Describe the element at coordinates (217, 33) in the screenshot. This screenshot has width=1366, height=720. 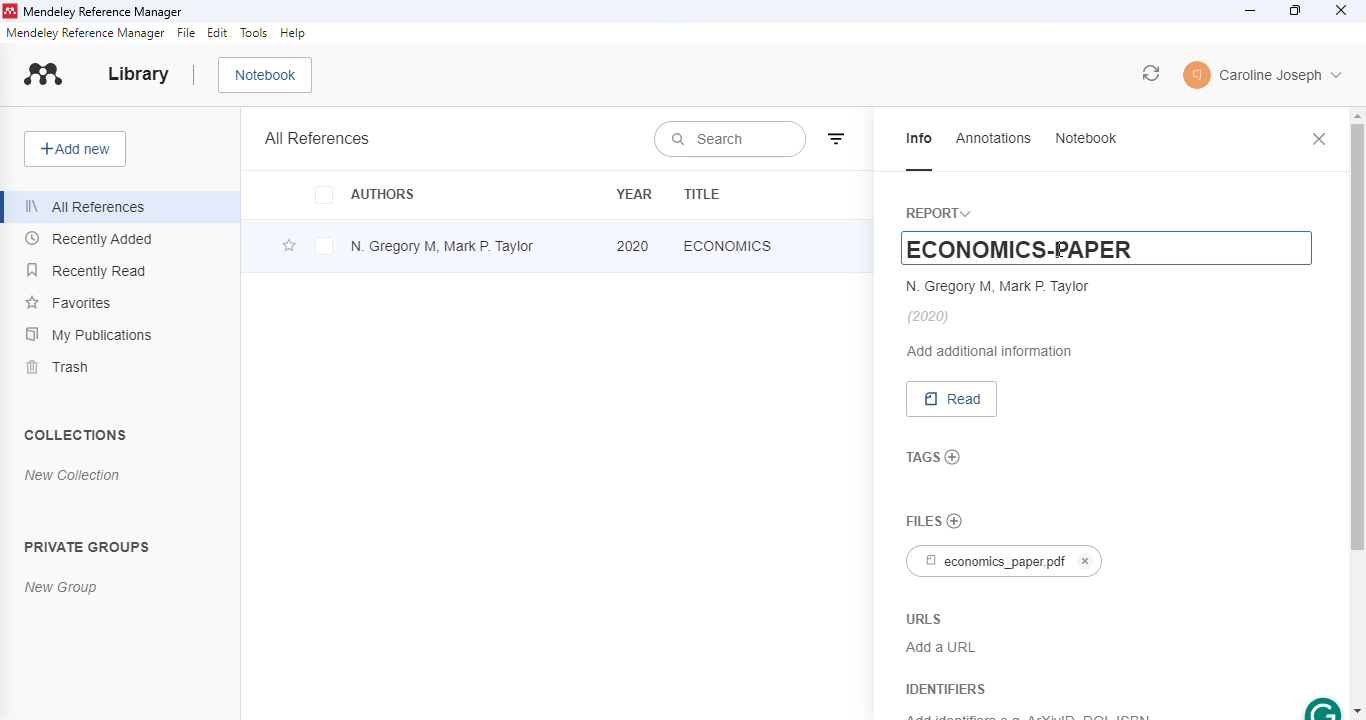
I see `edit` at that location.